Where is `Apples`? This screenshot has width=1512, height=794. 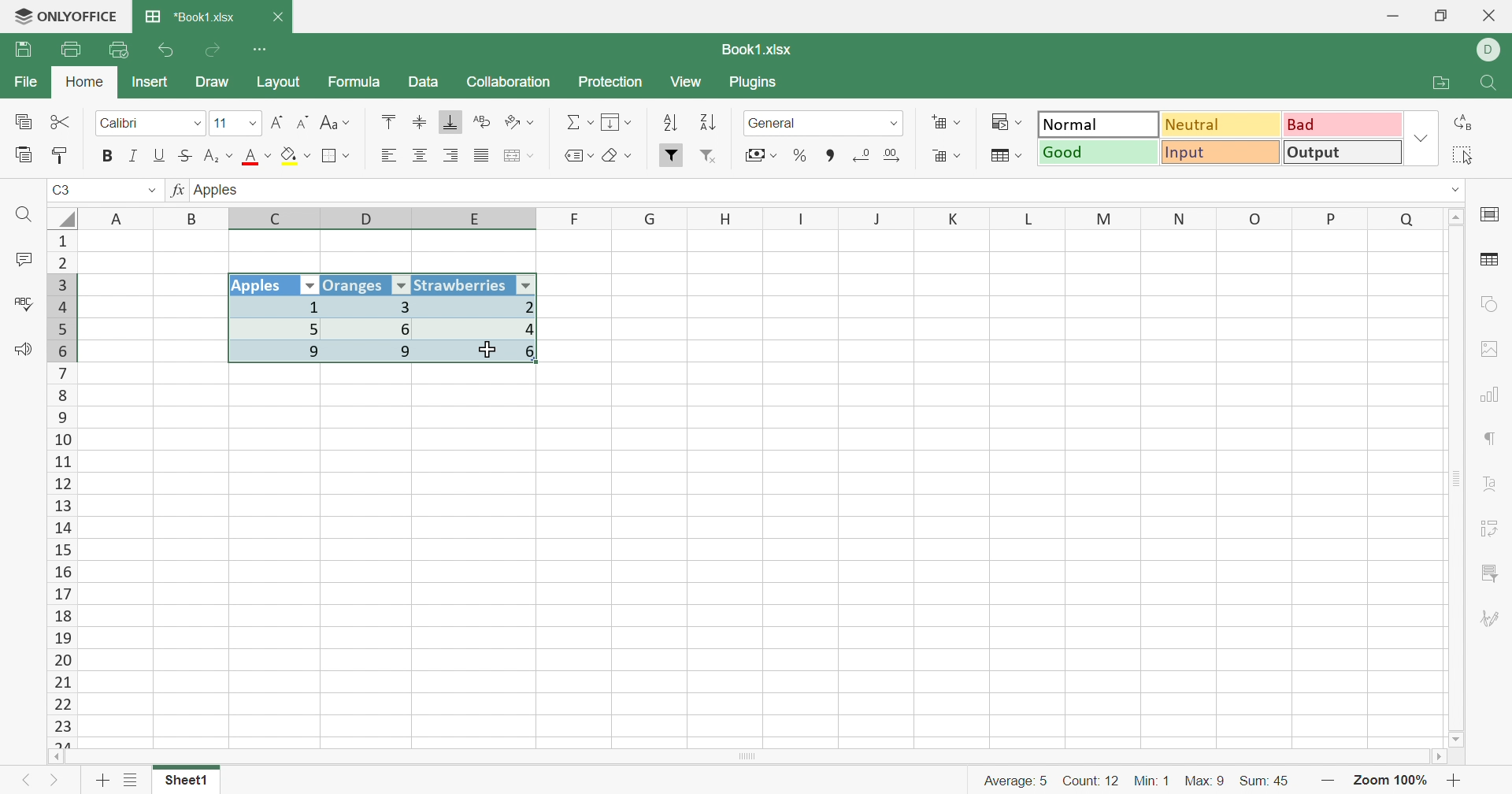
Apples is located at coordinates (262, 286).